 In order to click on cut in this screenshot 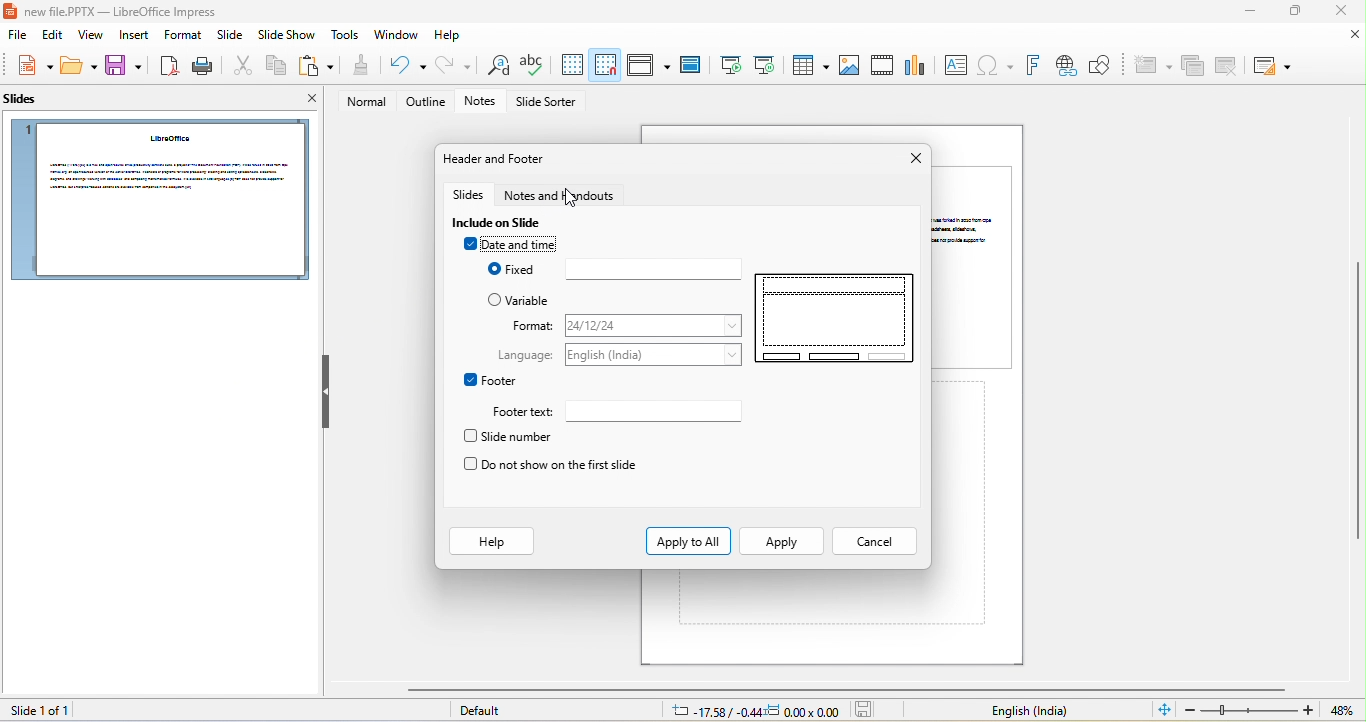, I will do `click(240, 67)`.